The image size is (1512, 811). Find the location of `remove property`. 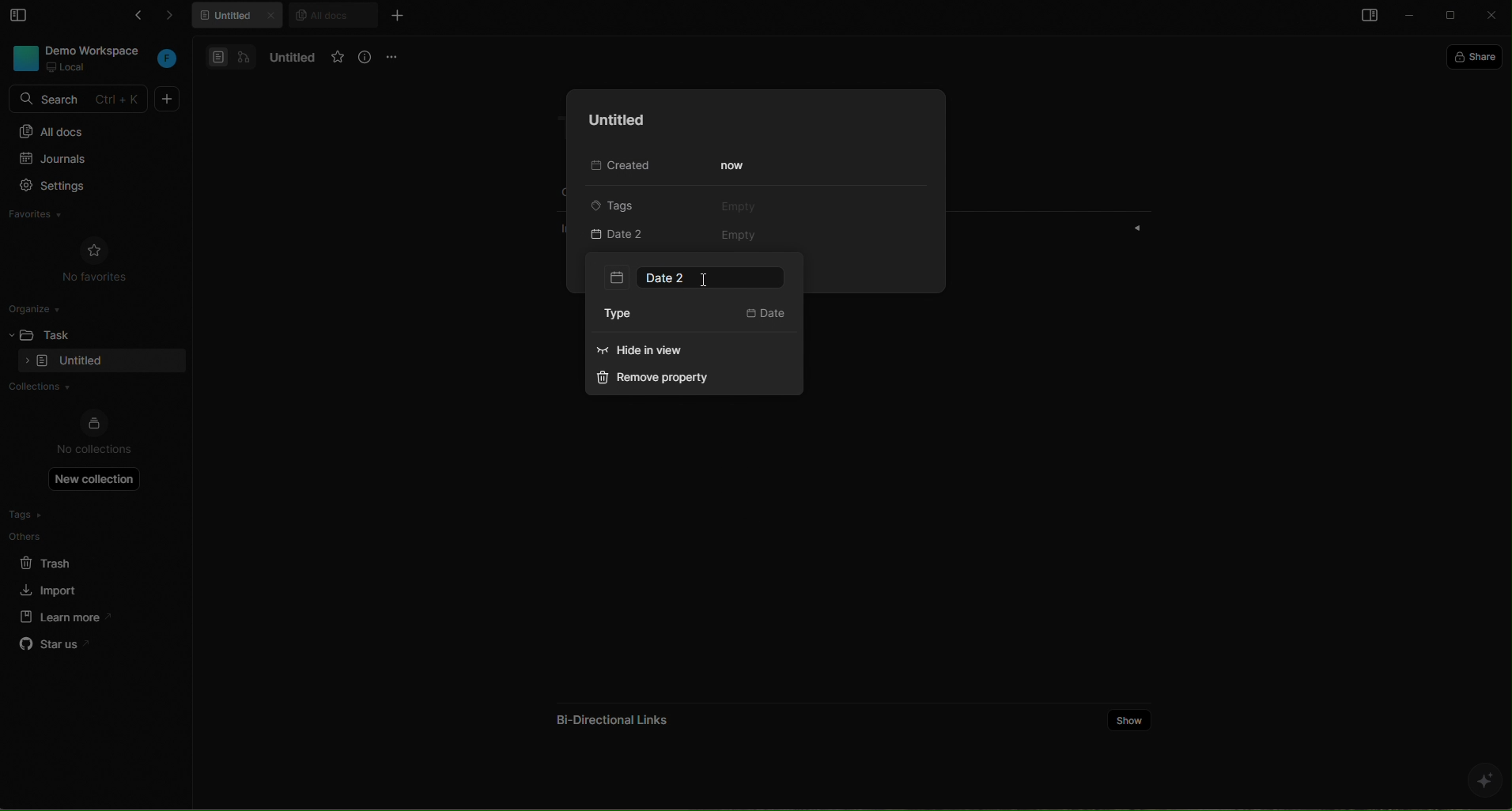

remove property is located at coordinates (661, 380).